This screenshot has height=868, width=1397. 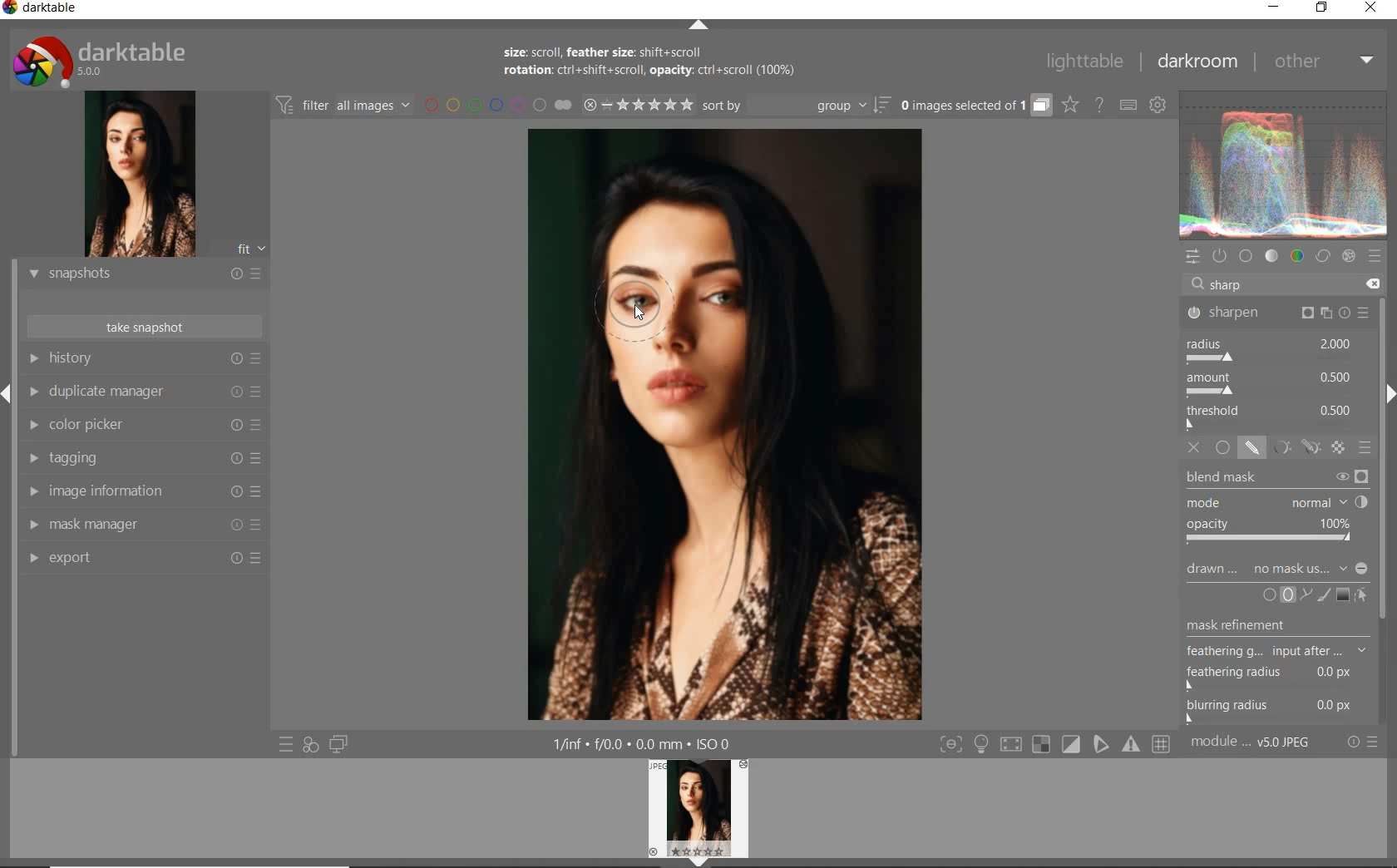 I want to click on tagging, so click(x=143, y=458).